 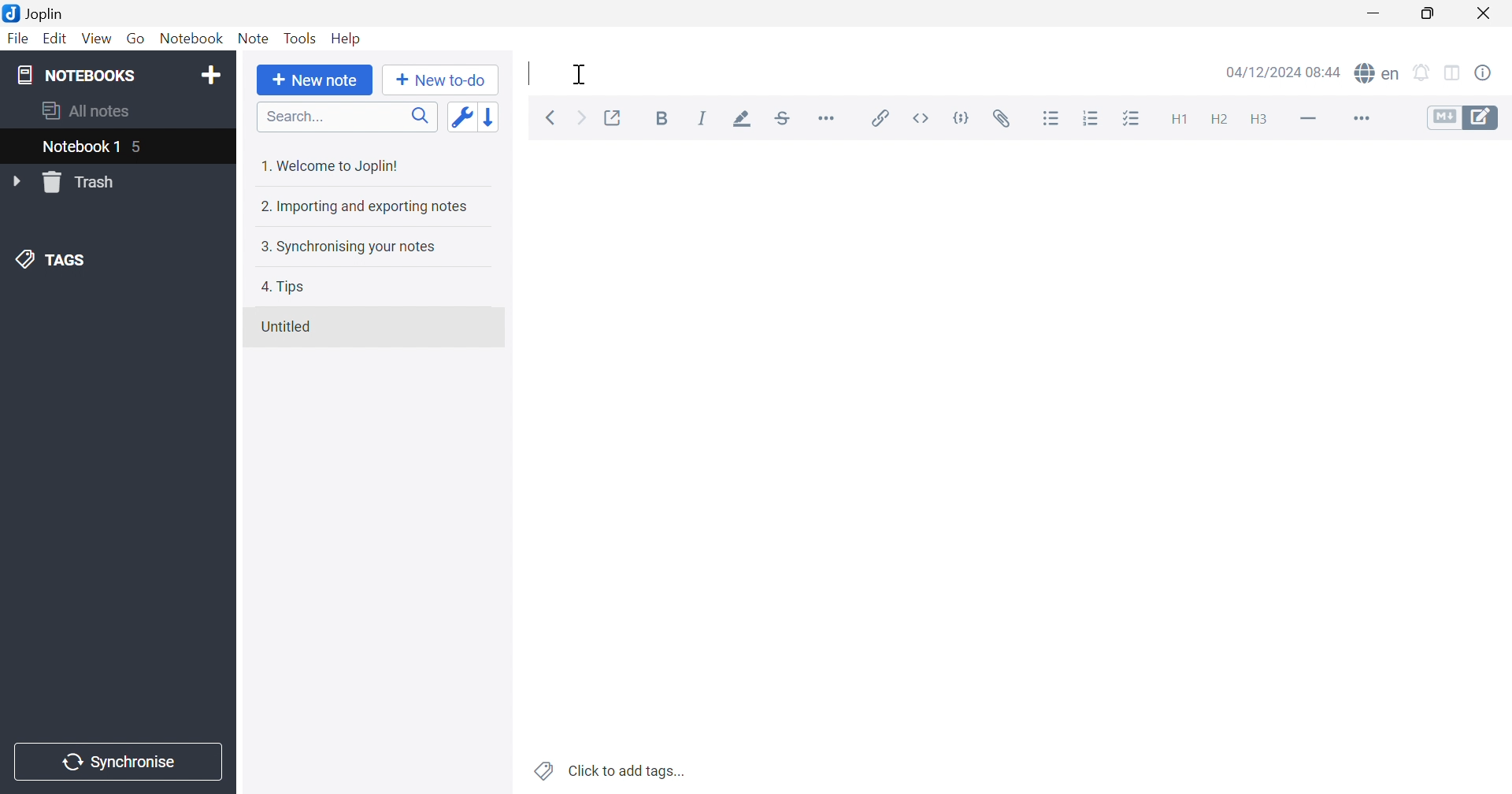 What do you see at coordinates (1377, 13) in the screenshot?
I see `Minimize` at bounding box center [1377, 13].